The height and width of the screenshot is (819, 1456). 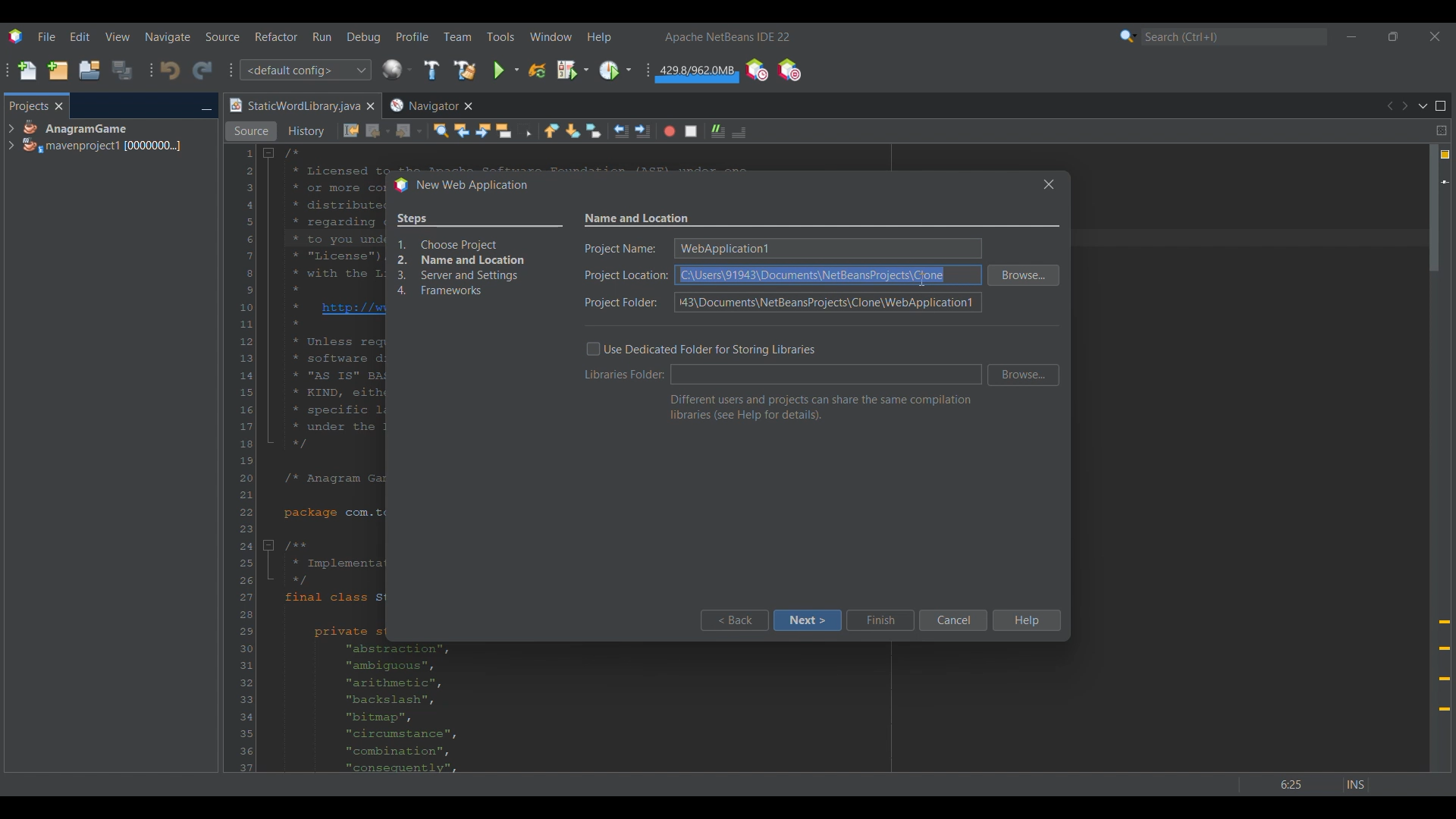 I want to click on File menu, so click(x=46, y=36).